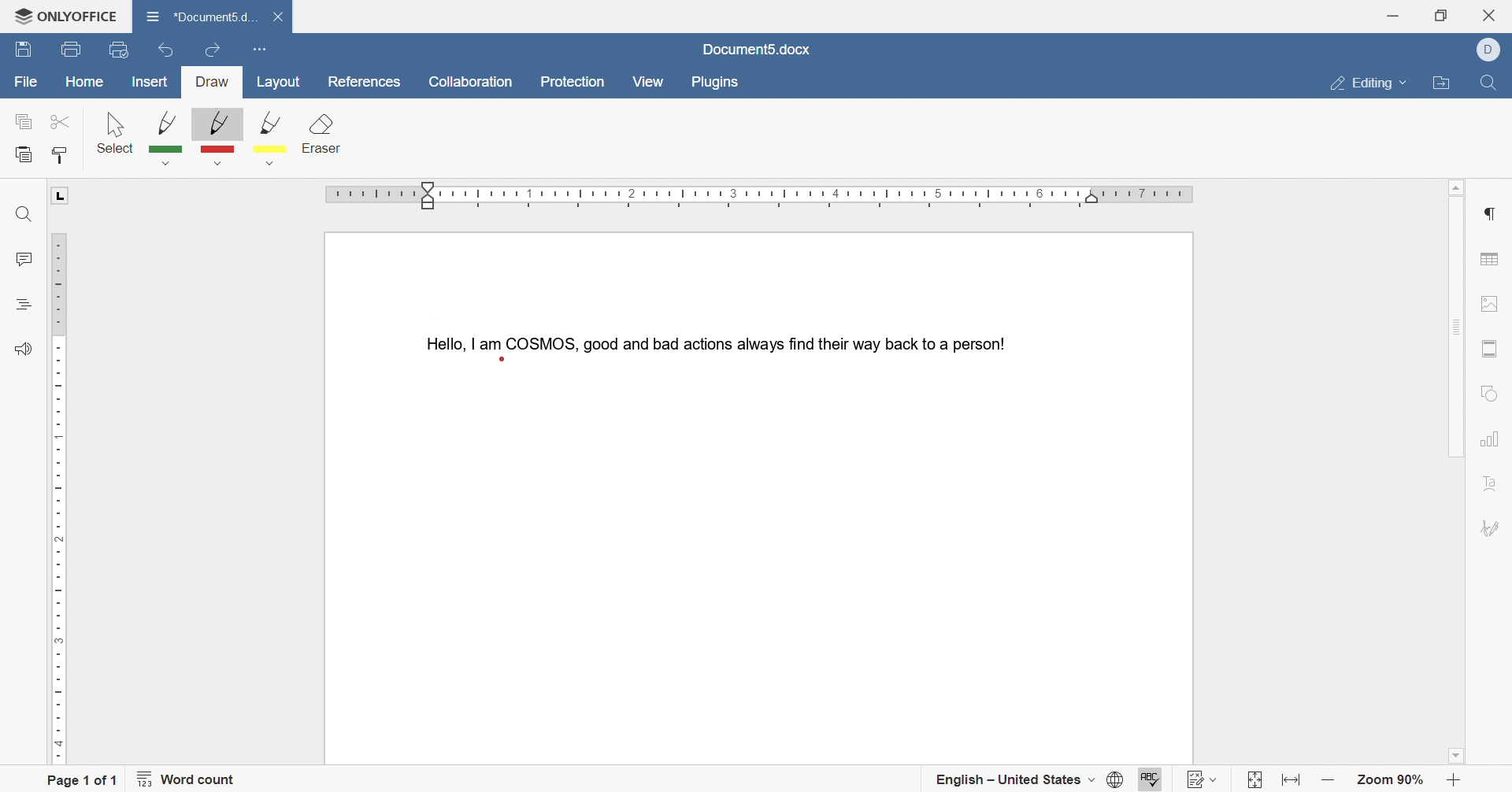  What do you see at coordinates (21, 216) in the screenshot?
I see `find` at bounding box center [21, 216].